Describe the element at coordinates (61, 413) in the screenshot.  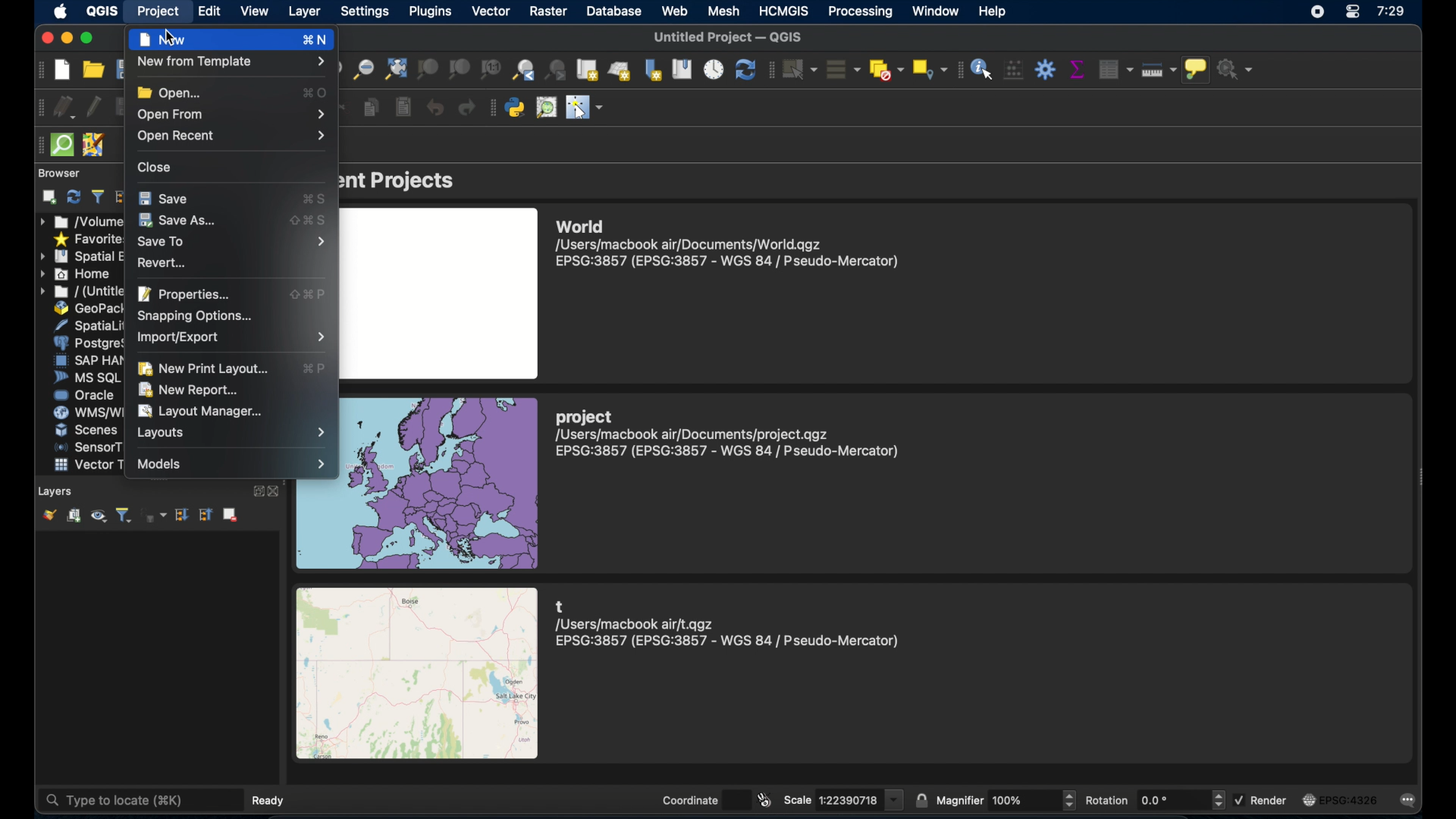
I see `icon` at that location.